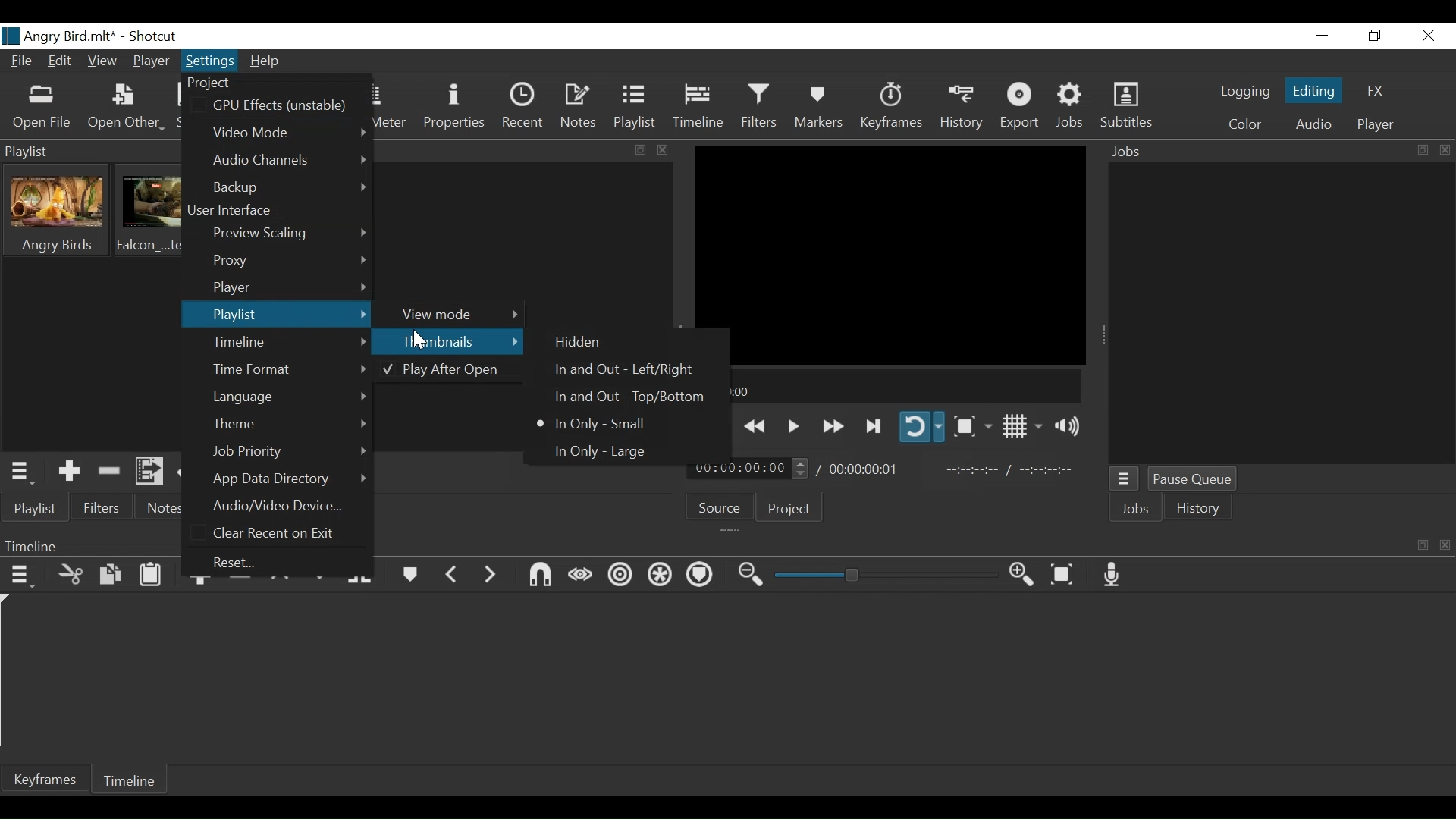 The height and width of the screenshot is (819, 1456). Describe the element at coordinates (1376, 125) in the screenshot. I see `Player` at that location.